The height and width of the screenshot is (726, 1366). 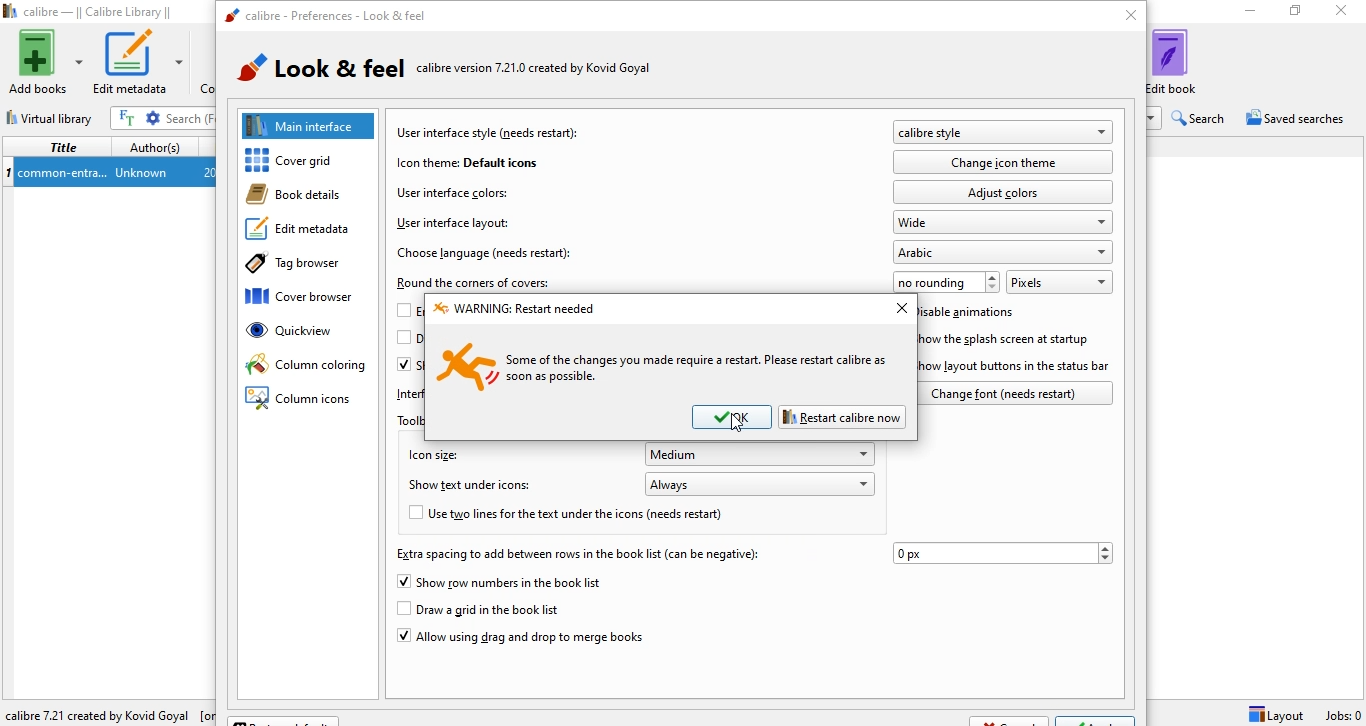 What do you see at coordinates (519, 640) in the screenshot?
I see `allow using drag and drop to merge books` at bounding box center [519, 640].